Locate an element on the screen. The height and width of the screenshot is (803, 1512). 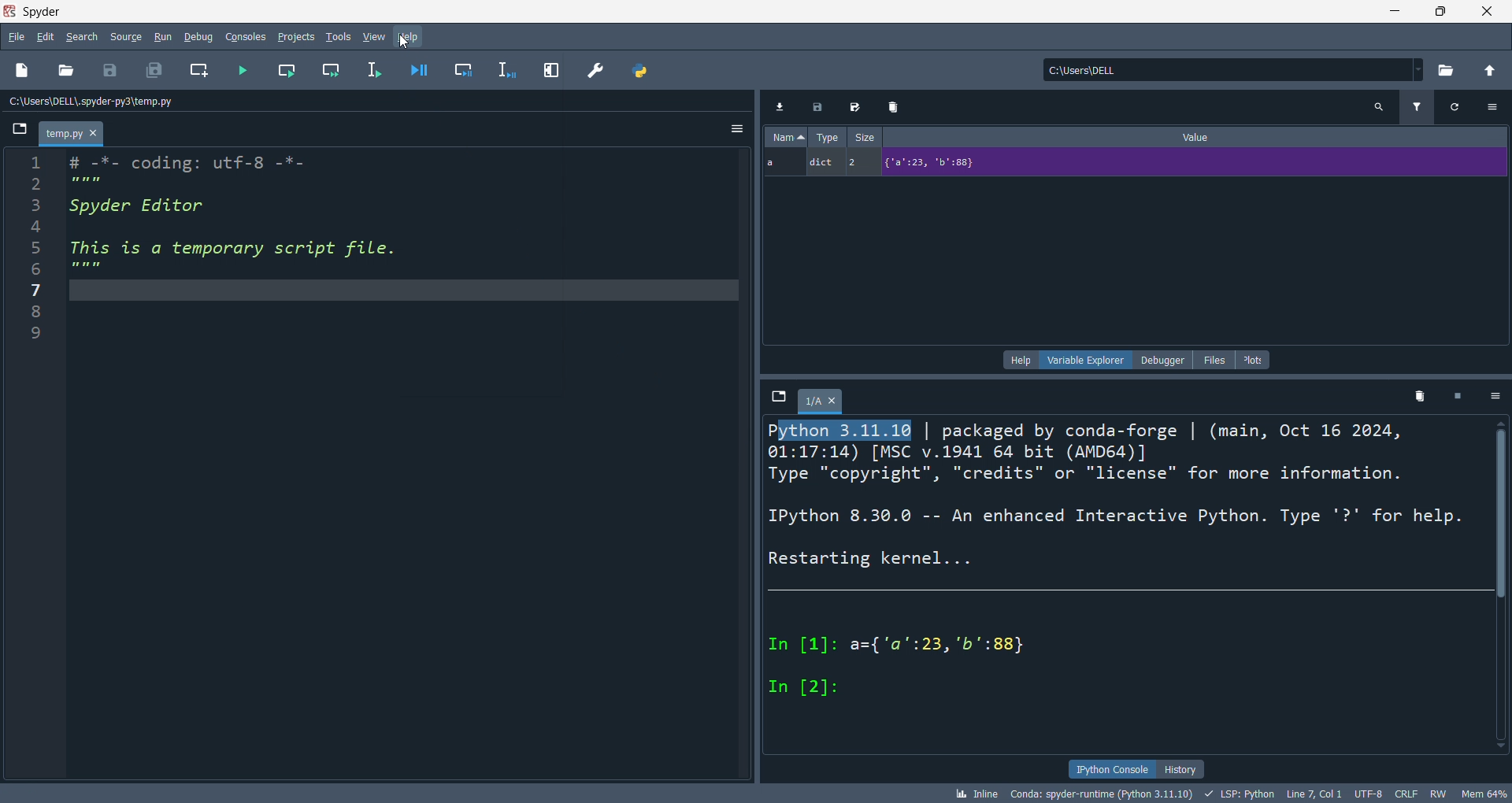
Delete is located at coordinates (1421, 395).